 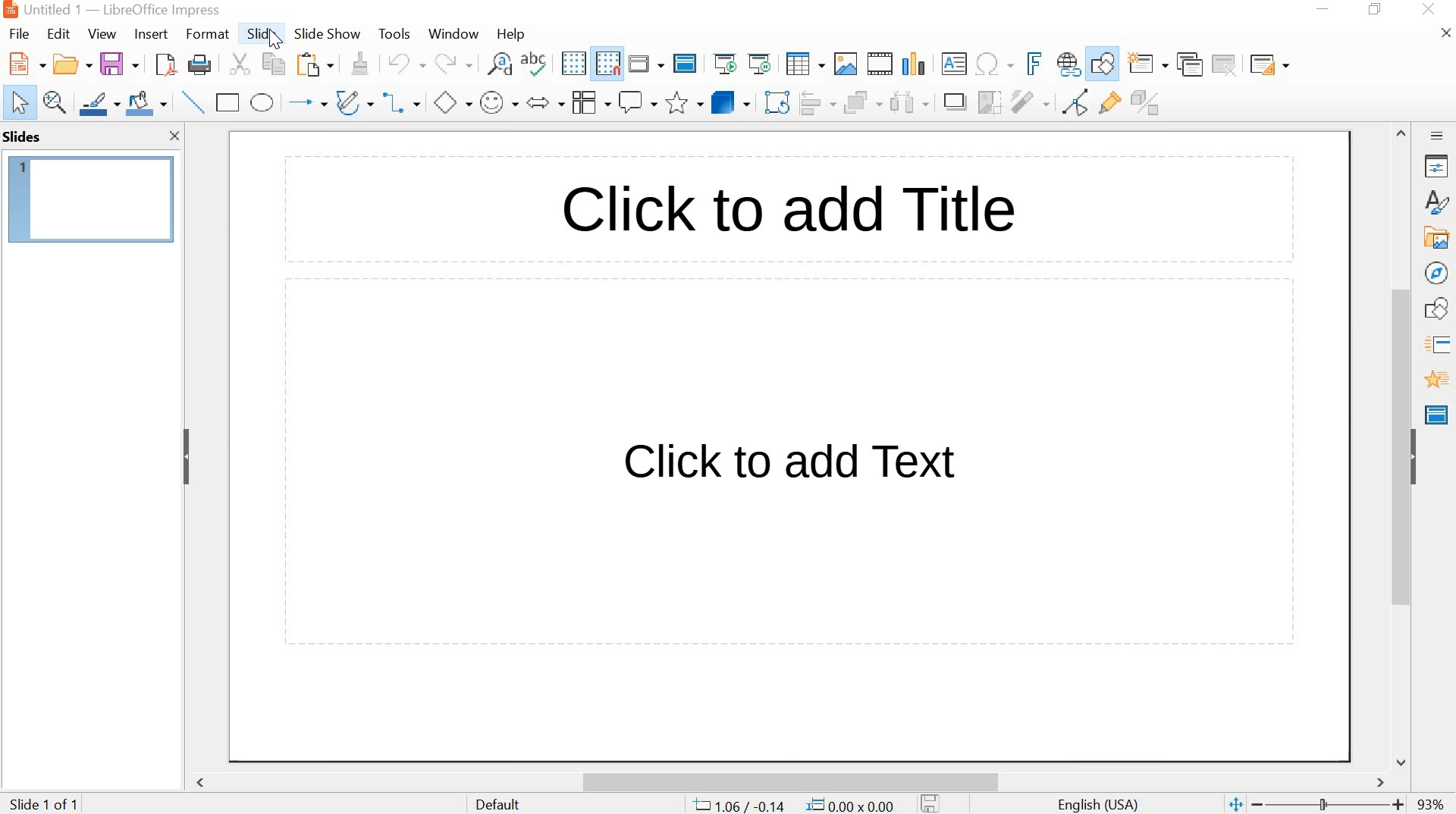 I want to click on SLIDE 1 OF 1, so click(x=47, y=805).